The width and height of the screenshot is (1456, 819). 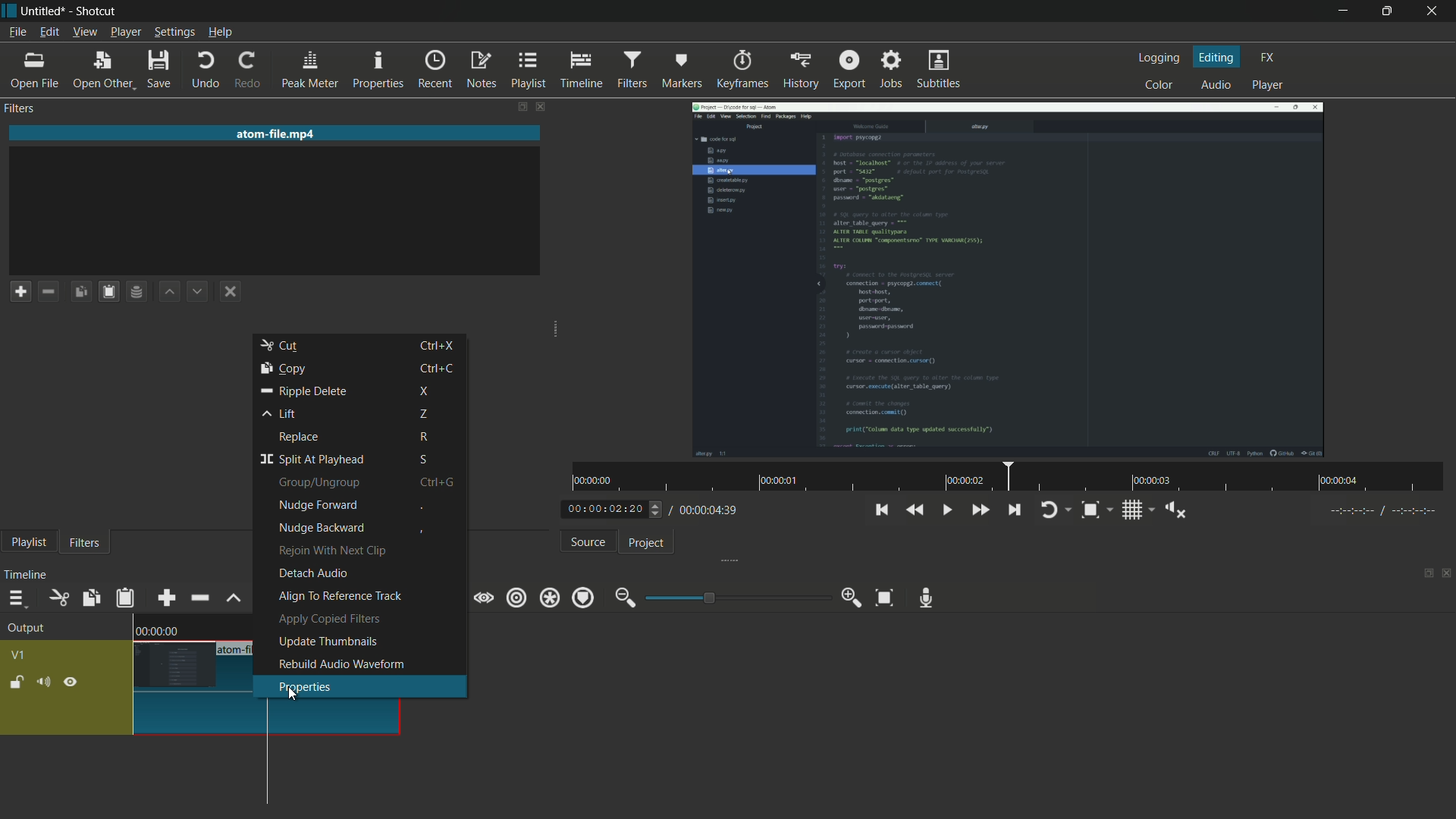 What do you see at coordinates (683, 71) in the screenshot?
I see `markers` at bounding box center [683, 71].